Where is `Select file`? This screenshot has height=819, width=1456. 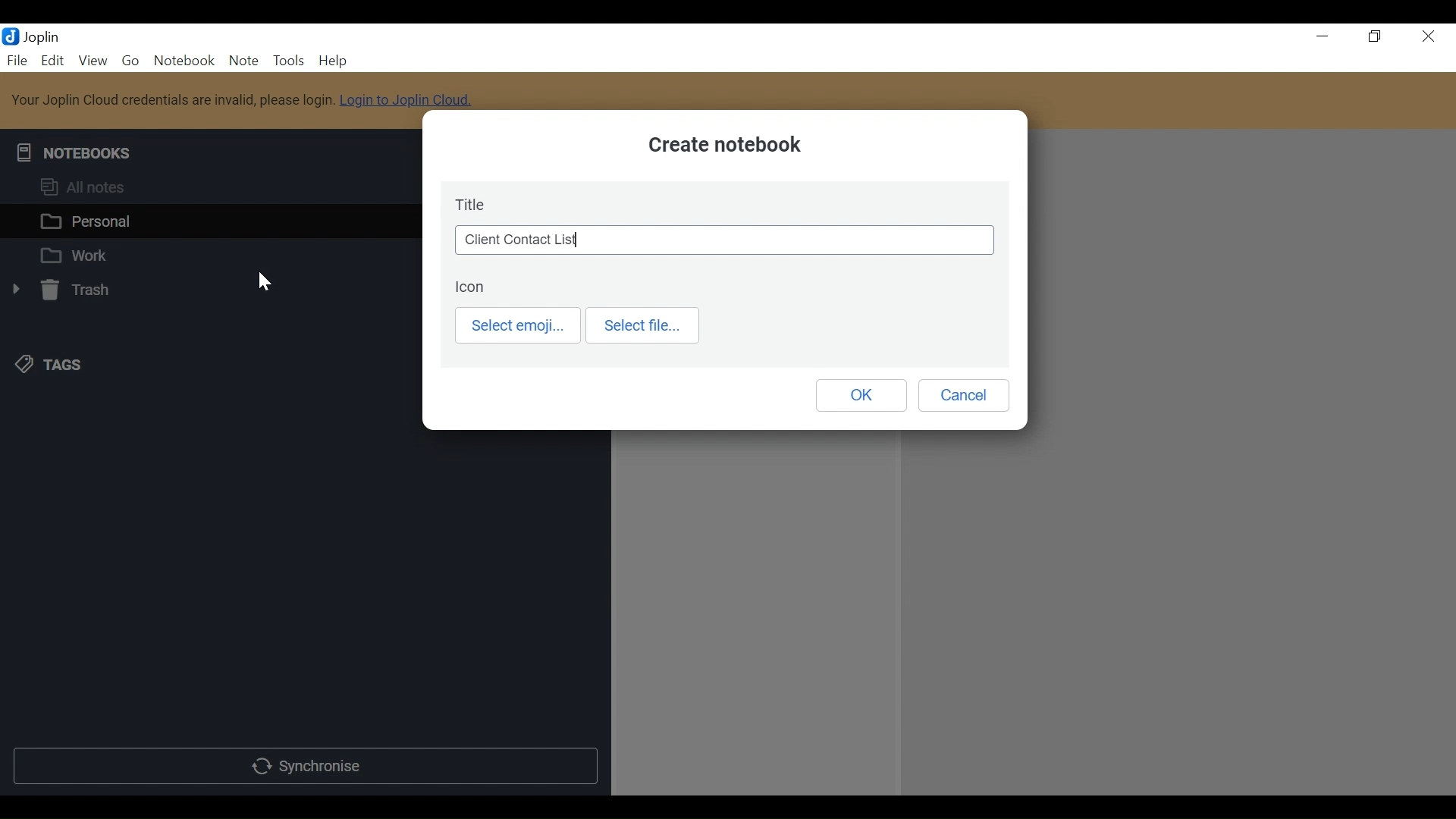 Select file is located at coordinates (644, 325).